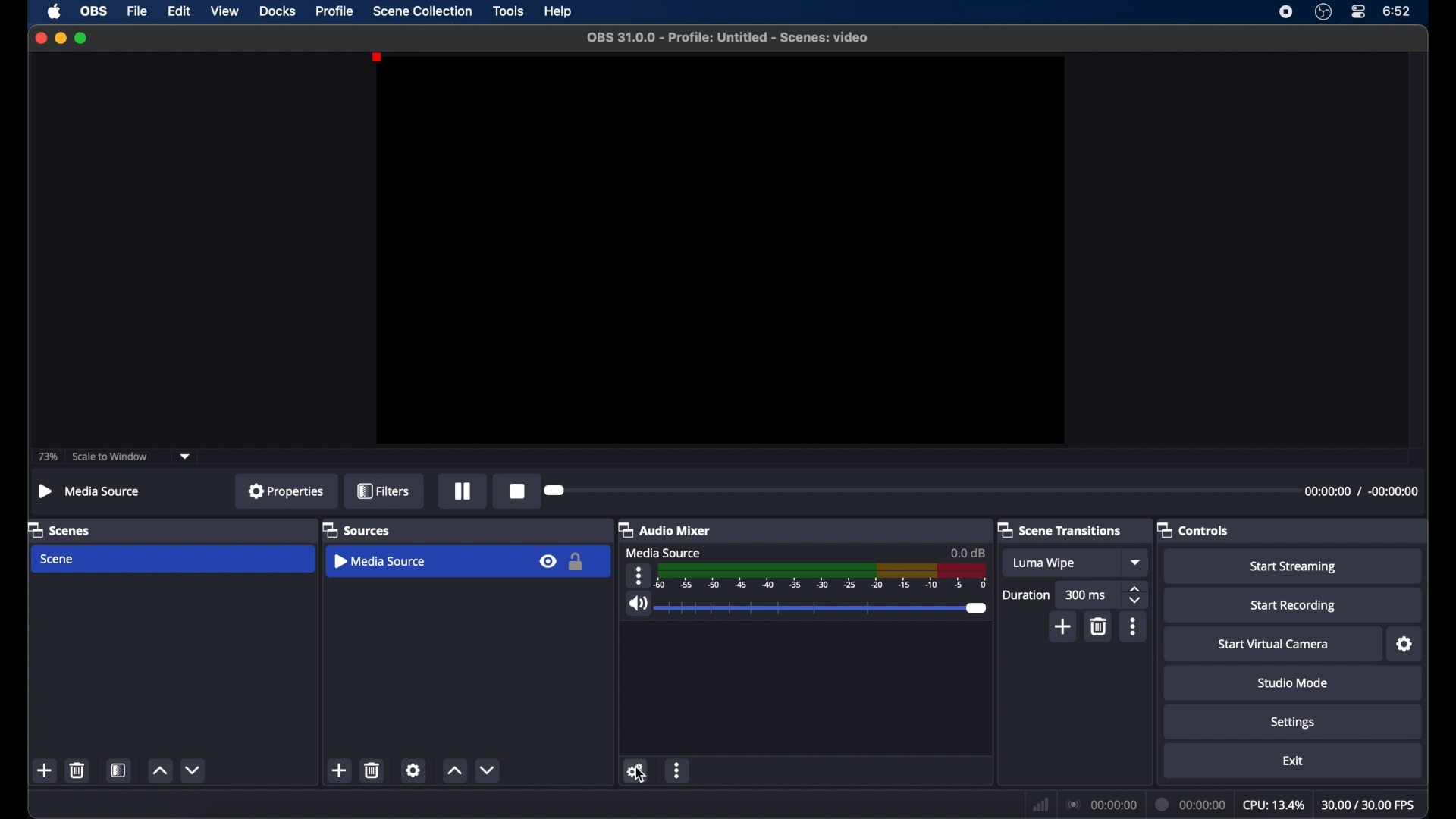 This screenshot has width=1456, height=819. Describe the element at coordinates (40, 37) in the screenshot. I see `close` at that location.